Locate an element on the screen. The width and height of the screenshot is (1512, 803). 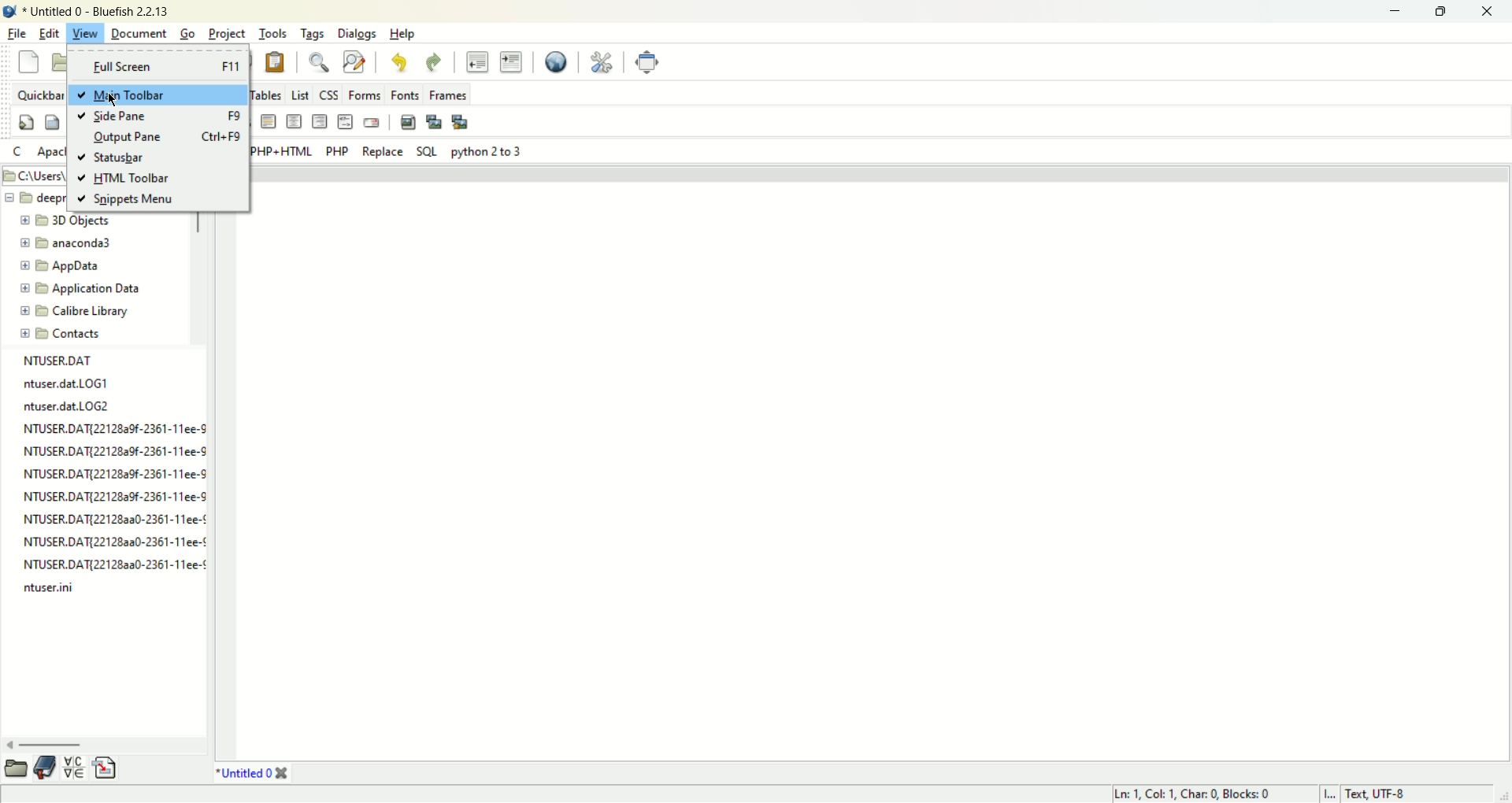
file name is located at coordinates (62, 361).